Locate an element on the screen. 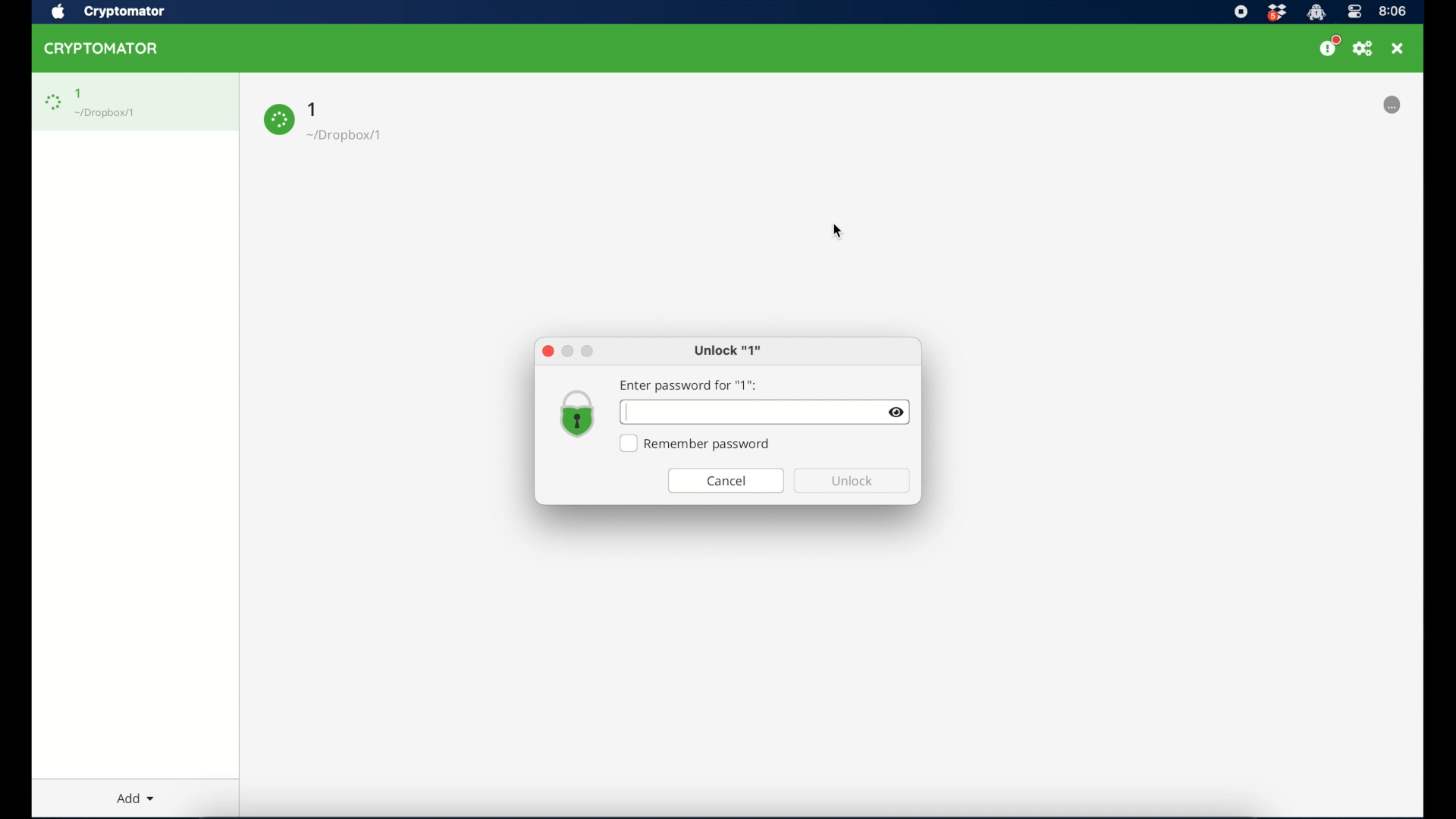  cursor is located at coordinates (839, 233).